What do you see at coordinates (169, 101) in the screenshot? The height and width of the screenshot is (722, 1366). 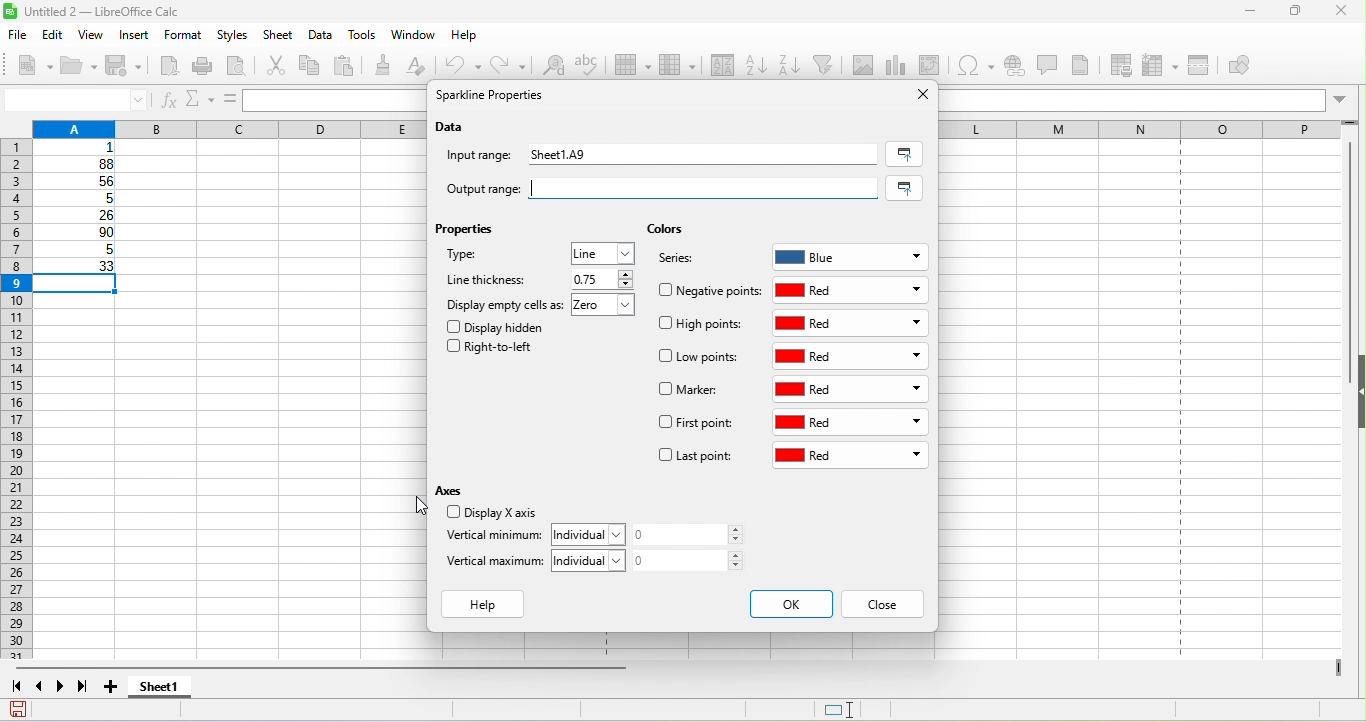 I see `function wizard` at bounding box center [169, 101].